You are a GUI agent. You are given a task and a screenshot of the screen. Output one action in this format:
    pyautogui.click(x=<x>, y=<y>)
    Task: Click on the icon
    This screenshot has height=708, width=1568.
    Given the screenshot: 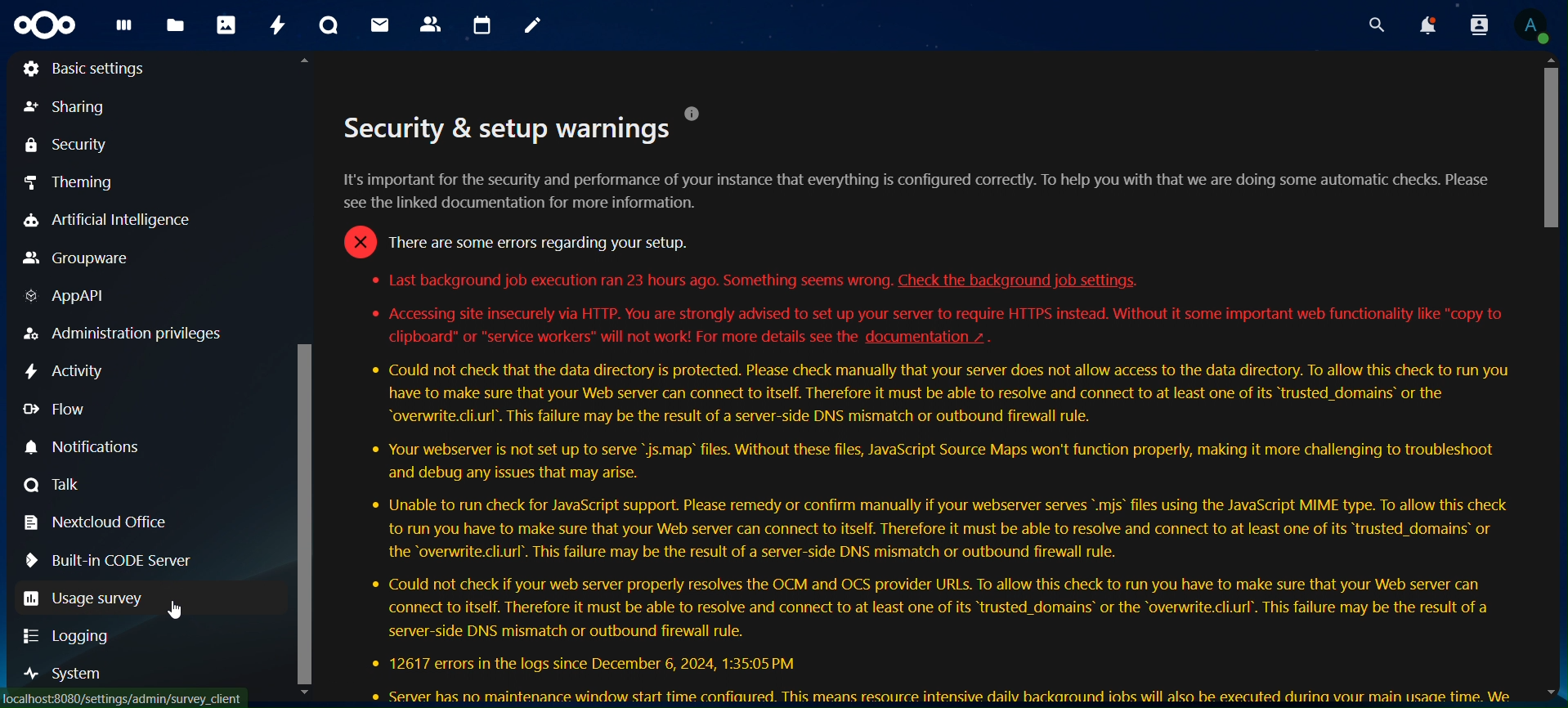 What is the action you would take?
    pyautogui.click(x=43, y=25)
    